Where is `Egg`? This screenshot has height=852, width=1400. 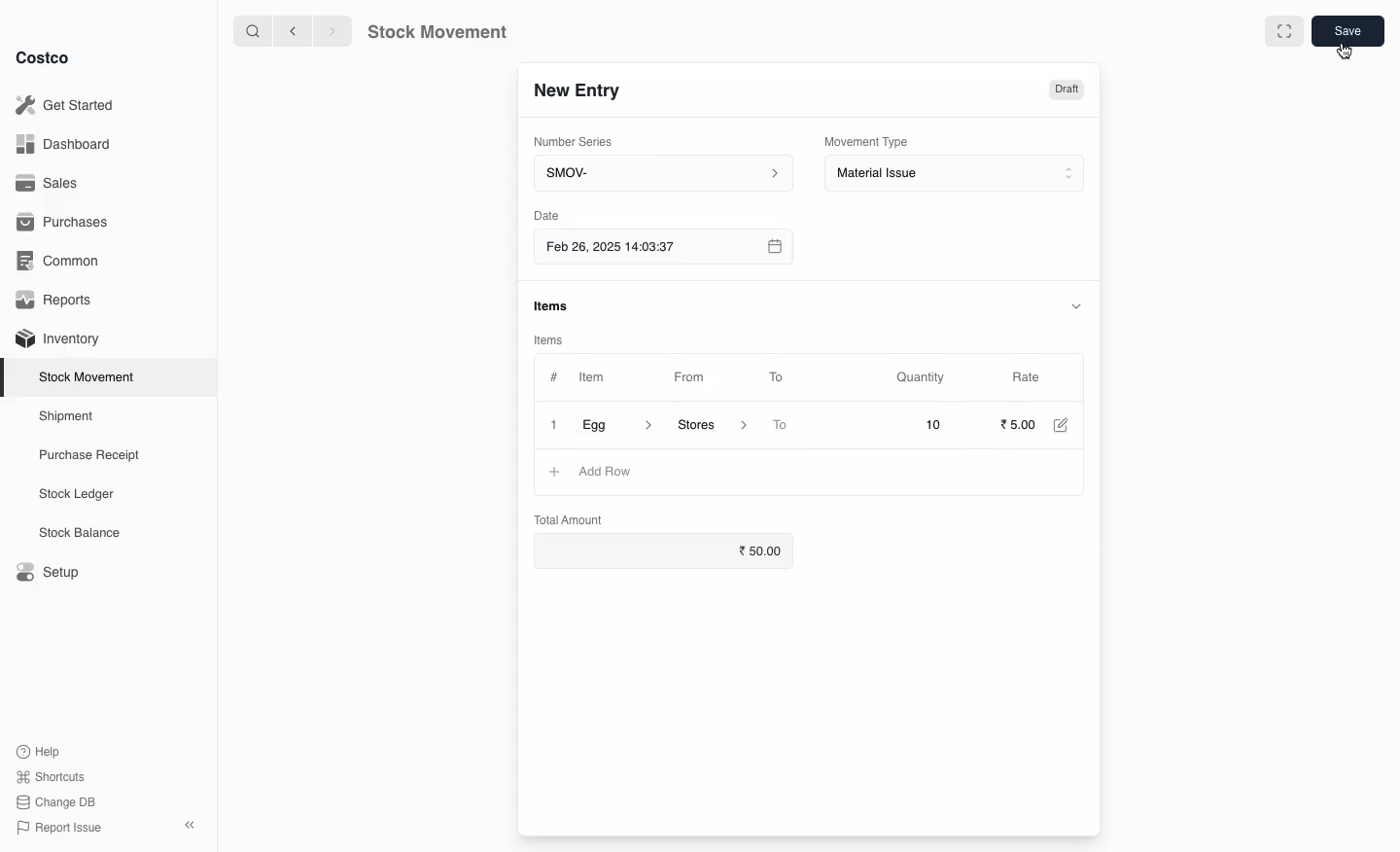 Egg is located at coordinates (617, 424).